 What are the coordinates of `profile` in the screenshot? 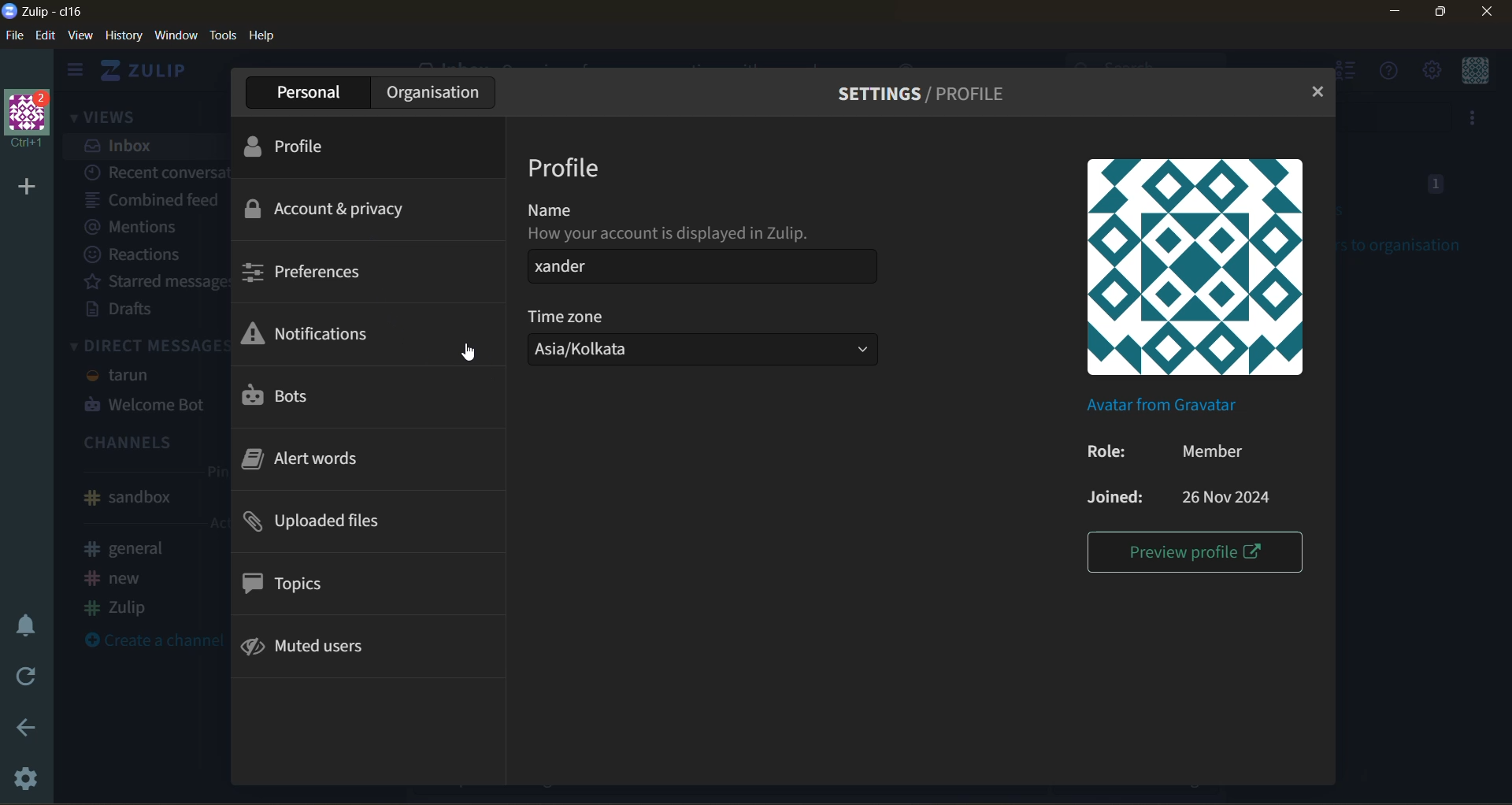 It's located at (569, 168).